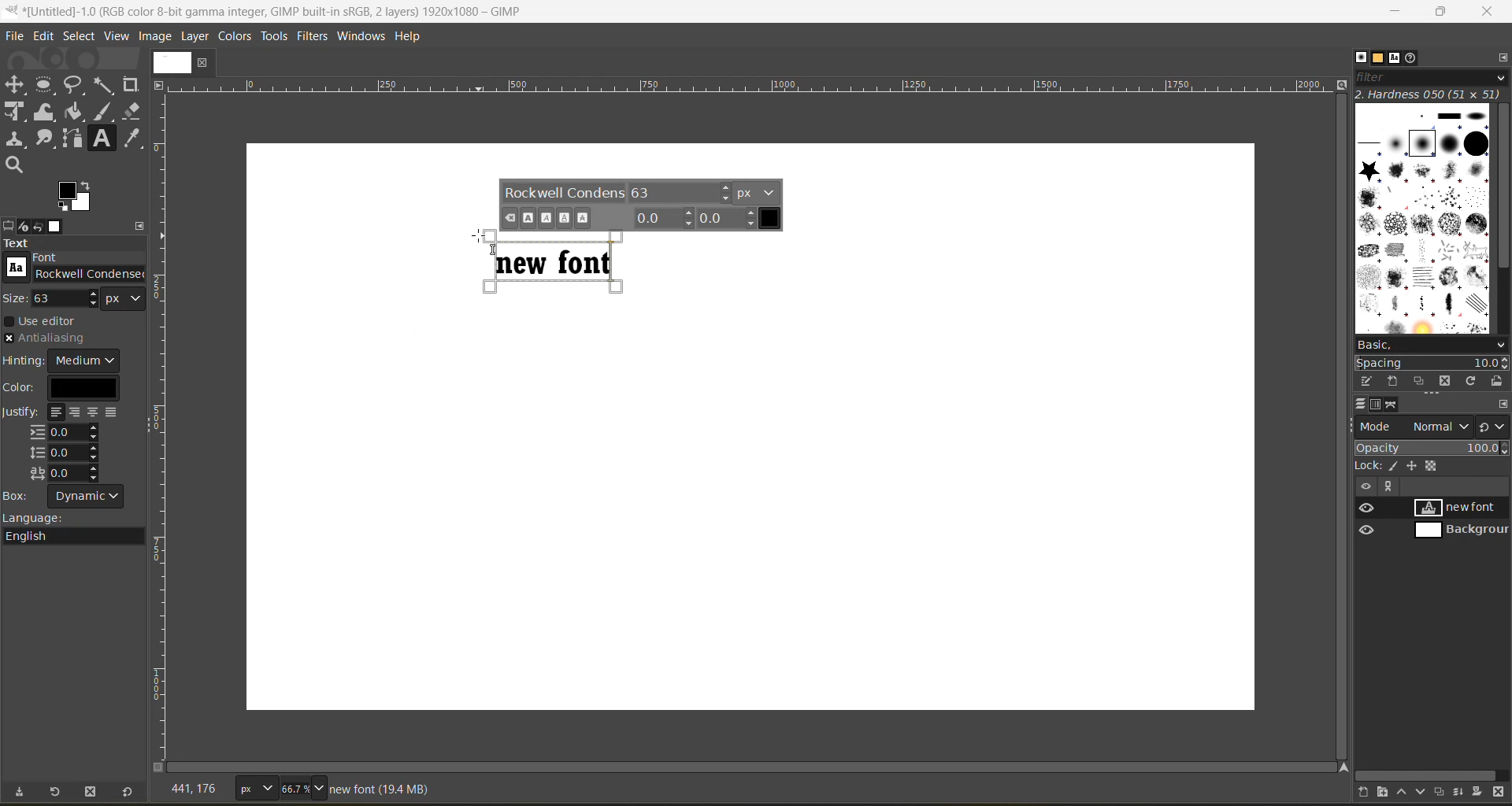 This screenshot has height=806, width=1512. Describe the element at coordinates (275, 39) in the screenshot. I see `tools` at that location.